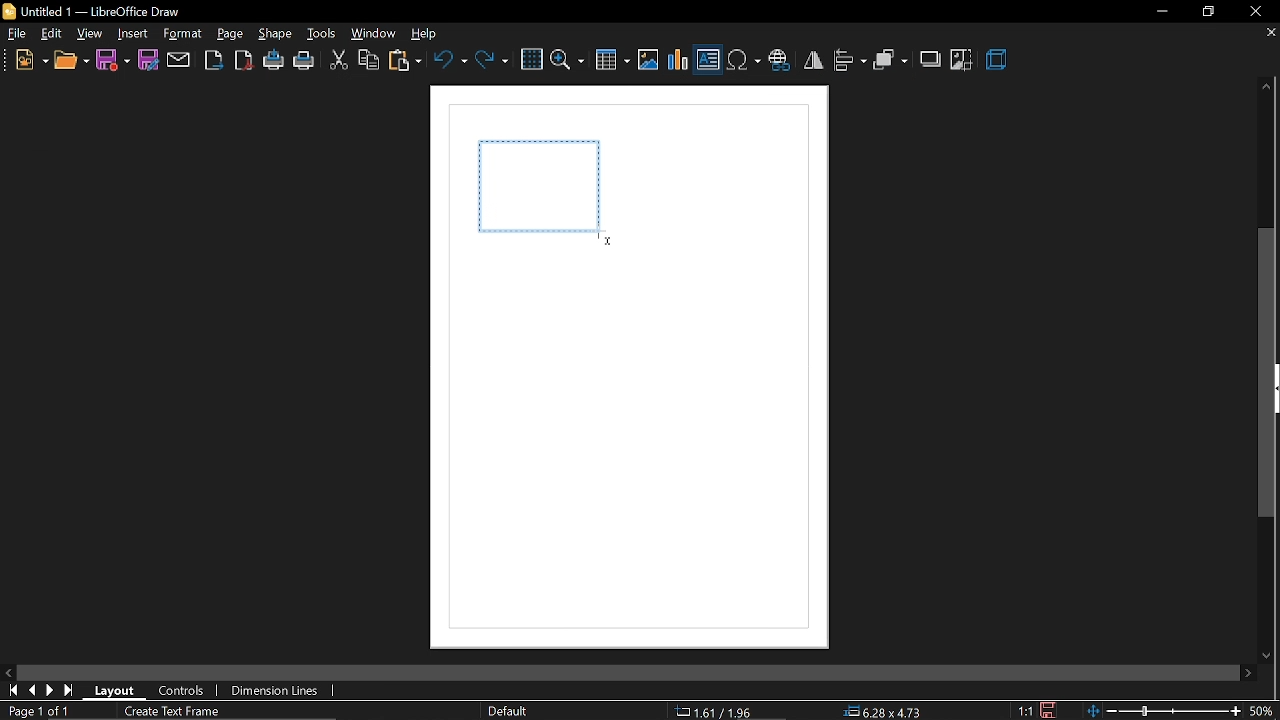 Image resolution: width=1280 pixels, height=720 pixels. Describe the element at coordinates (182, 692) in the screenshot. I see `controls` at that location.